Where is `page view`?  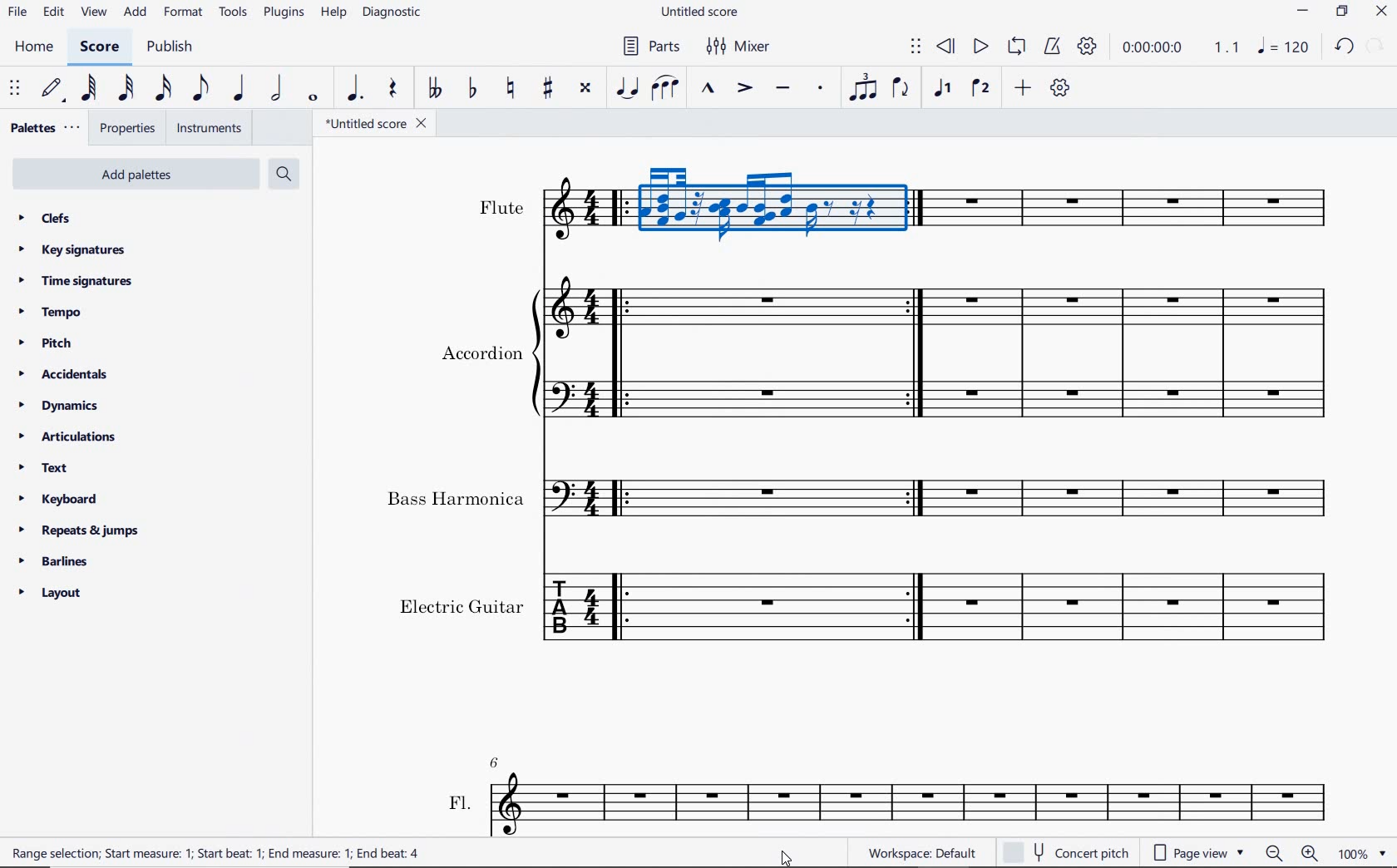 page view is located at coordinates (1197, 853).